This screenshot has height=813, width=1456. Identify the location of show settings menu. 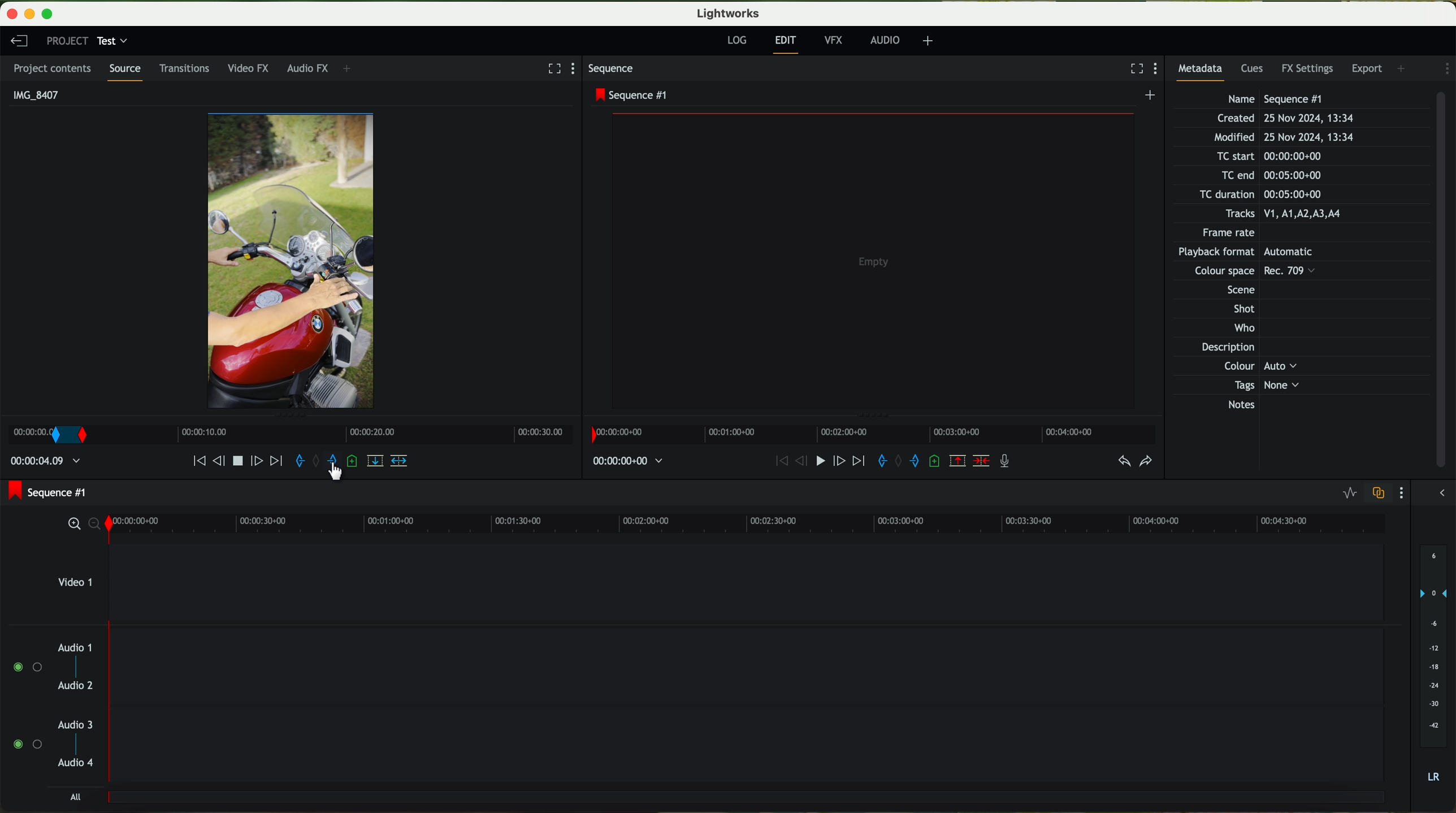
(1158, 70).